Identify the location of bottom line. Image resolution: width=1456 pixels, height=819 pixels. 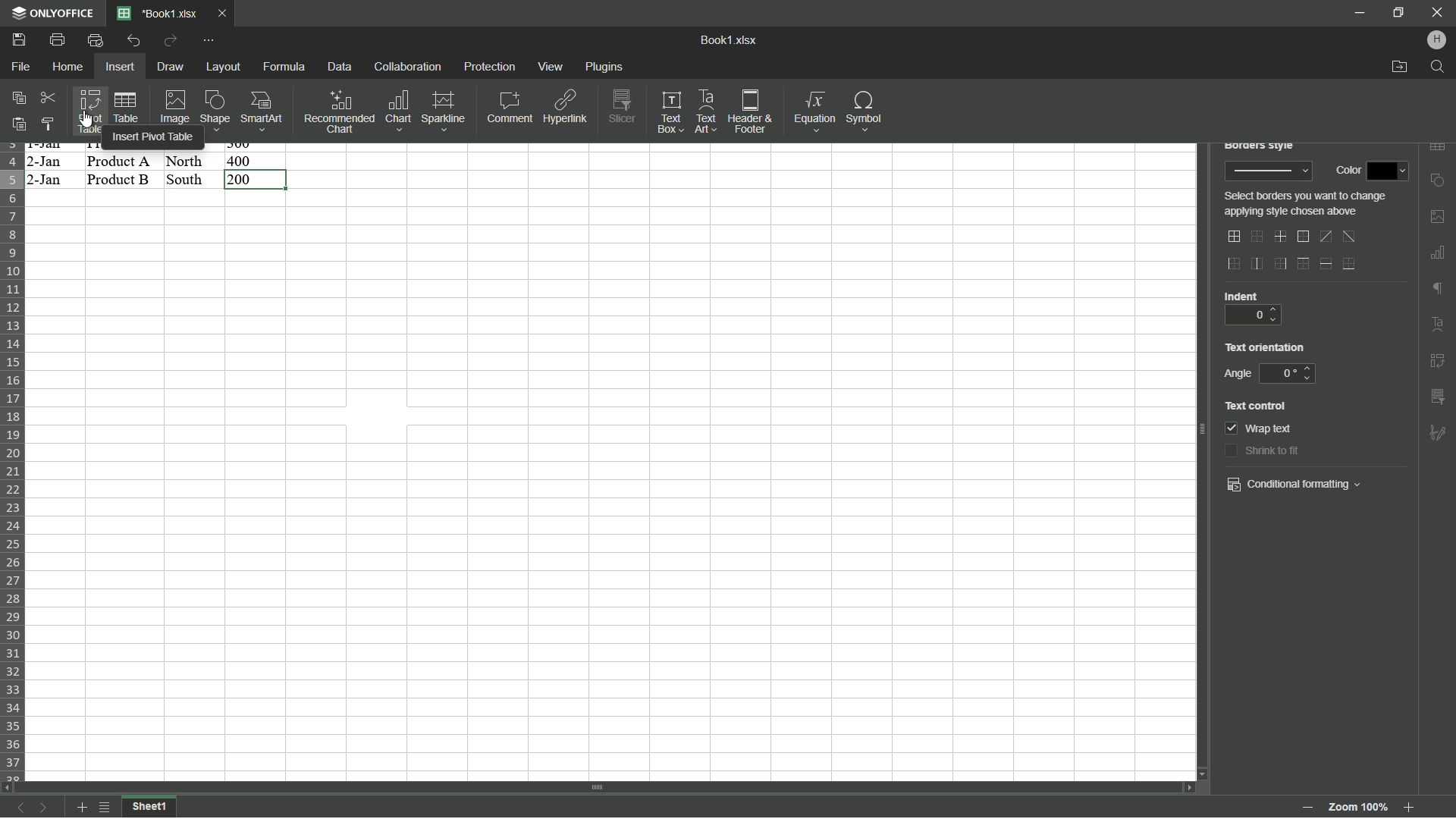
(1349, 264).